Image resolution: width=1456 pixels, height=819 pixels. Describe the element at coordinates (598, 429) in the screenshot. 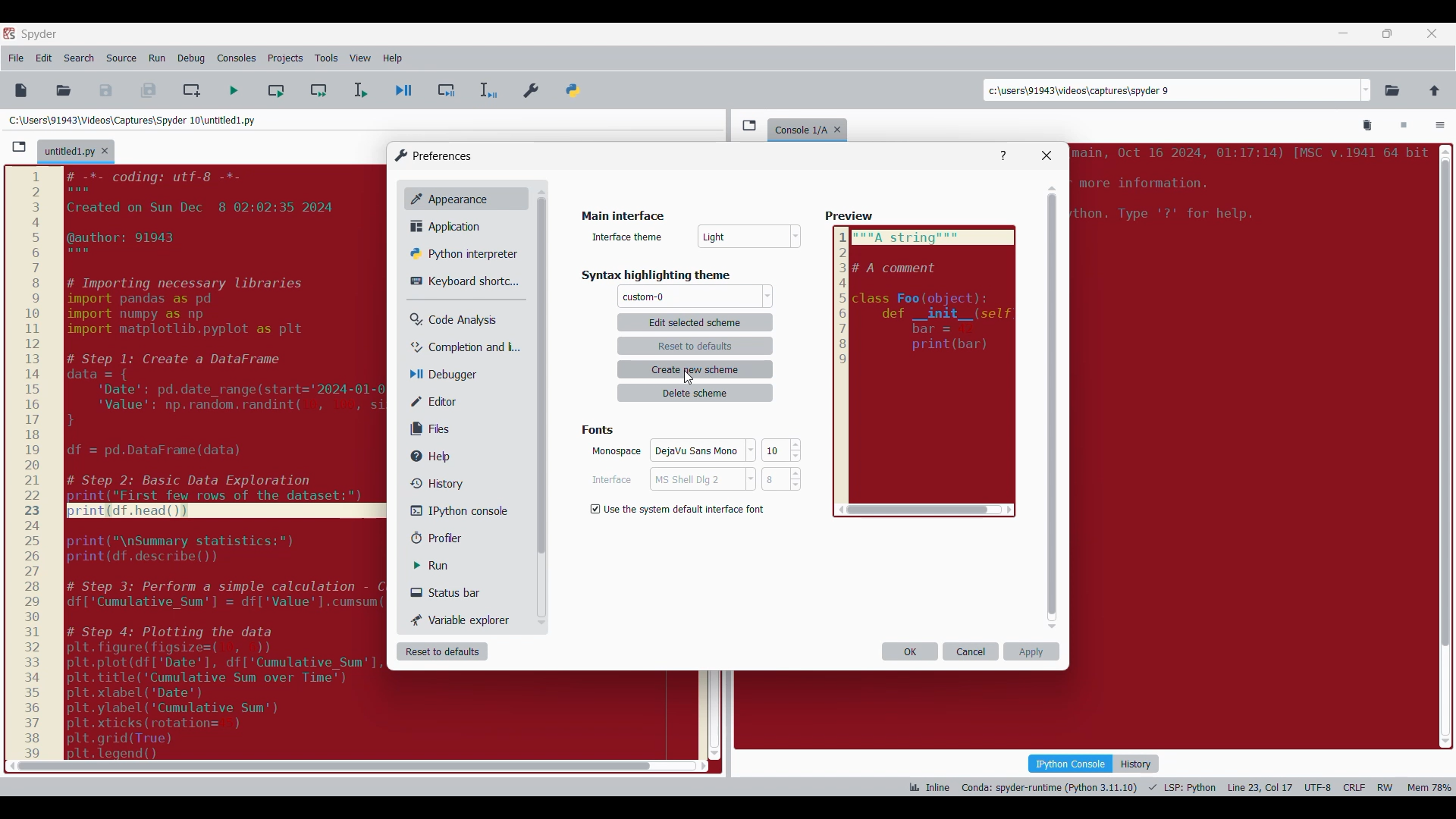

I see `Section title` at that location.